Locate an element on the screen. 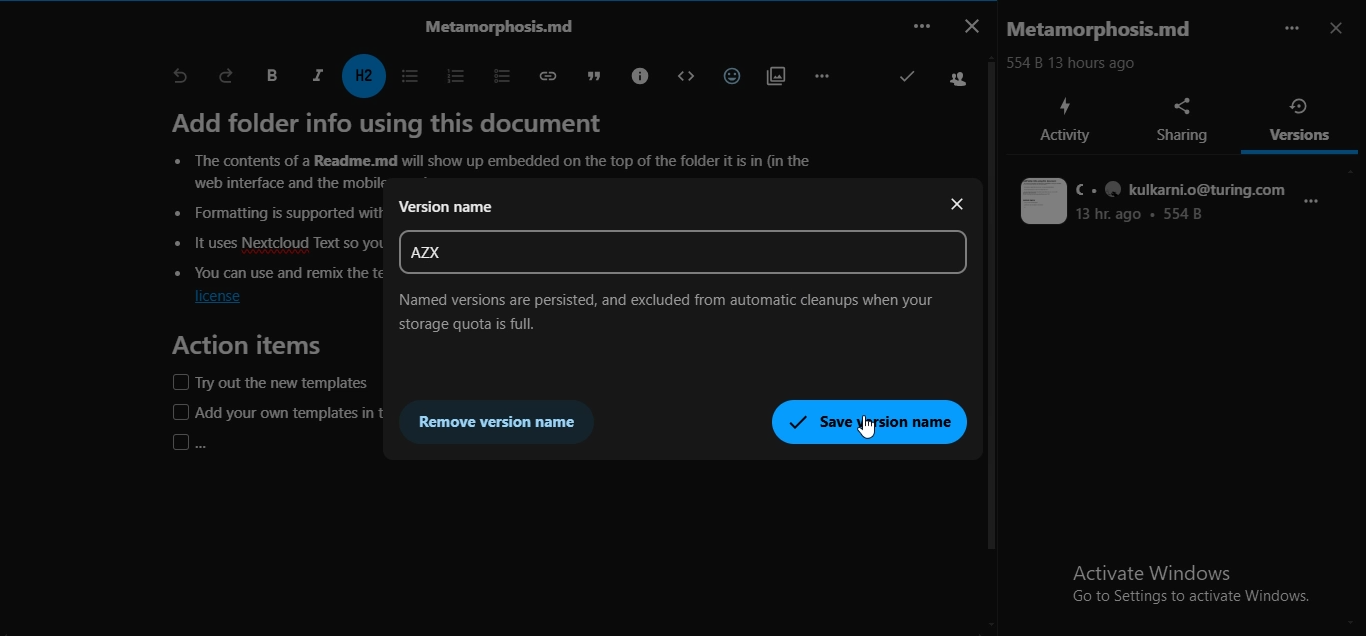 The height and width of the screenshot is (636, 1366). unordered list is located at coordinates (408, 76).